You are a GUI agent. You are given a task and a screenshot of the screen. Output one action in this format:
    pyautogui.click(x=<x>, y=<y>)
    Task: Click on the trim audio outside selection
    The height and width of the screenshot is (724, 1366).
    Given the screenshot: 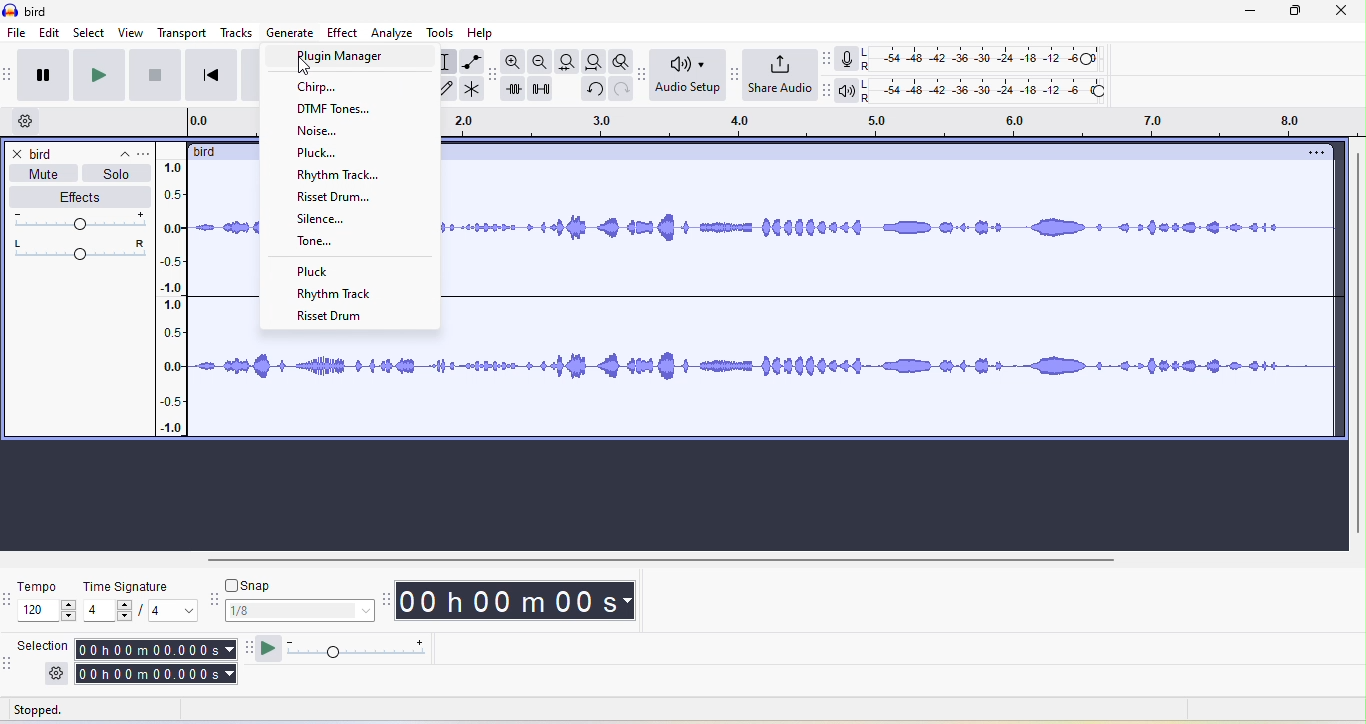 What is the action you would take?
    pyautogui.click(x=518, y=93)
    